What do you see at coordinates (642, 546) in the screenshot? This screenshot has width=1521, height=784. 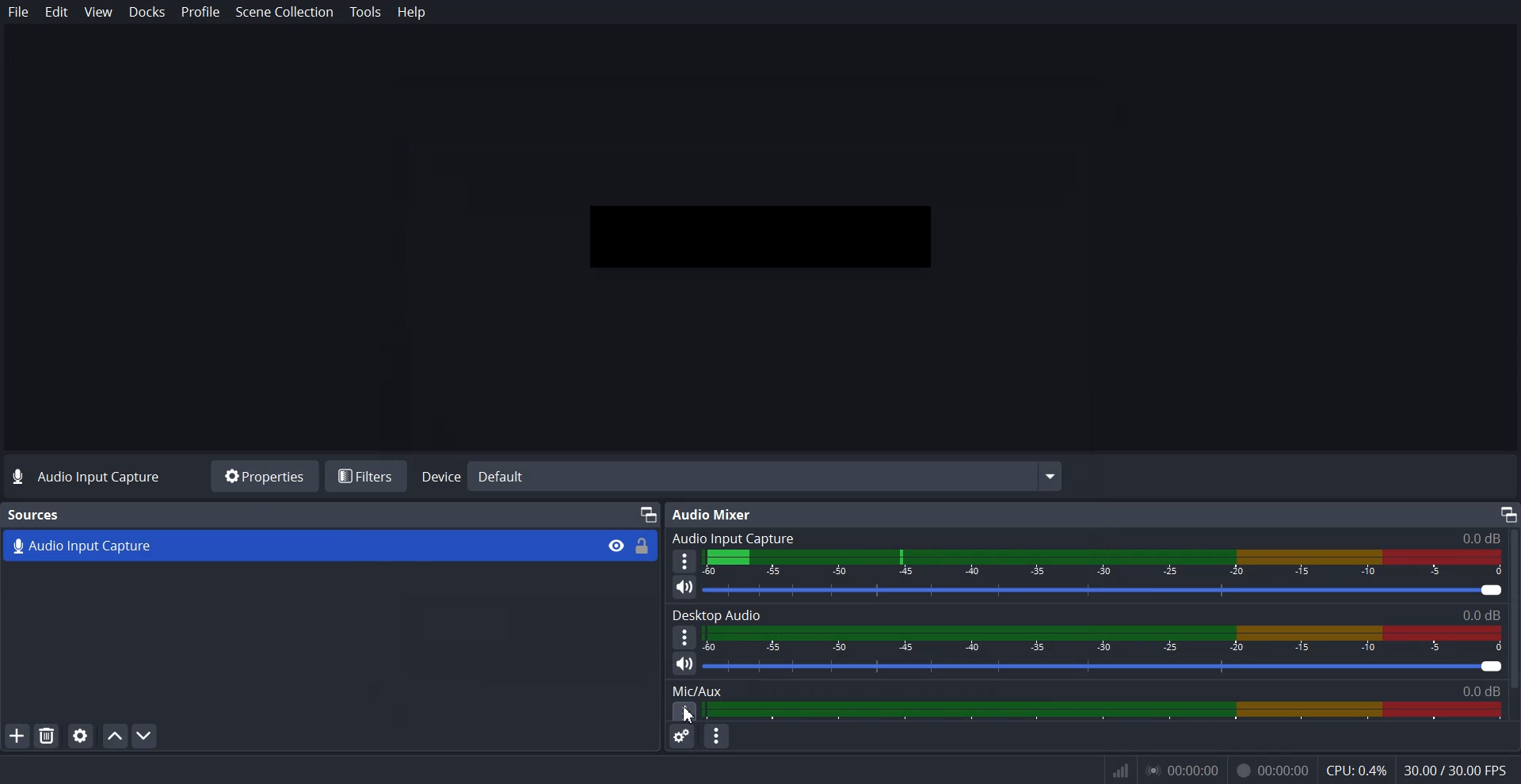 I see `Lock` at bounding box center [642, 546].